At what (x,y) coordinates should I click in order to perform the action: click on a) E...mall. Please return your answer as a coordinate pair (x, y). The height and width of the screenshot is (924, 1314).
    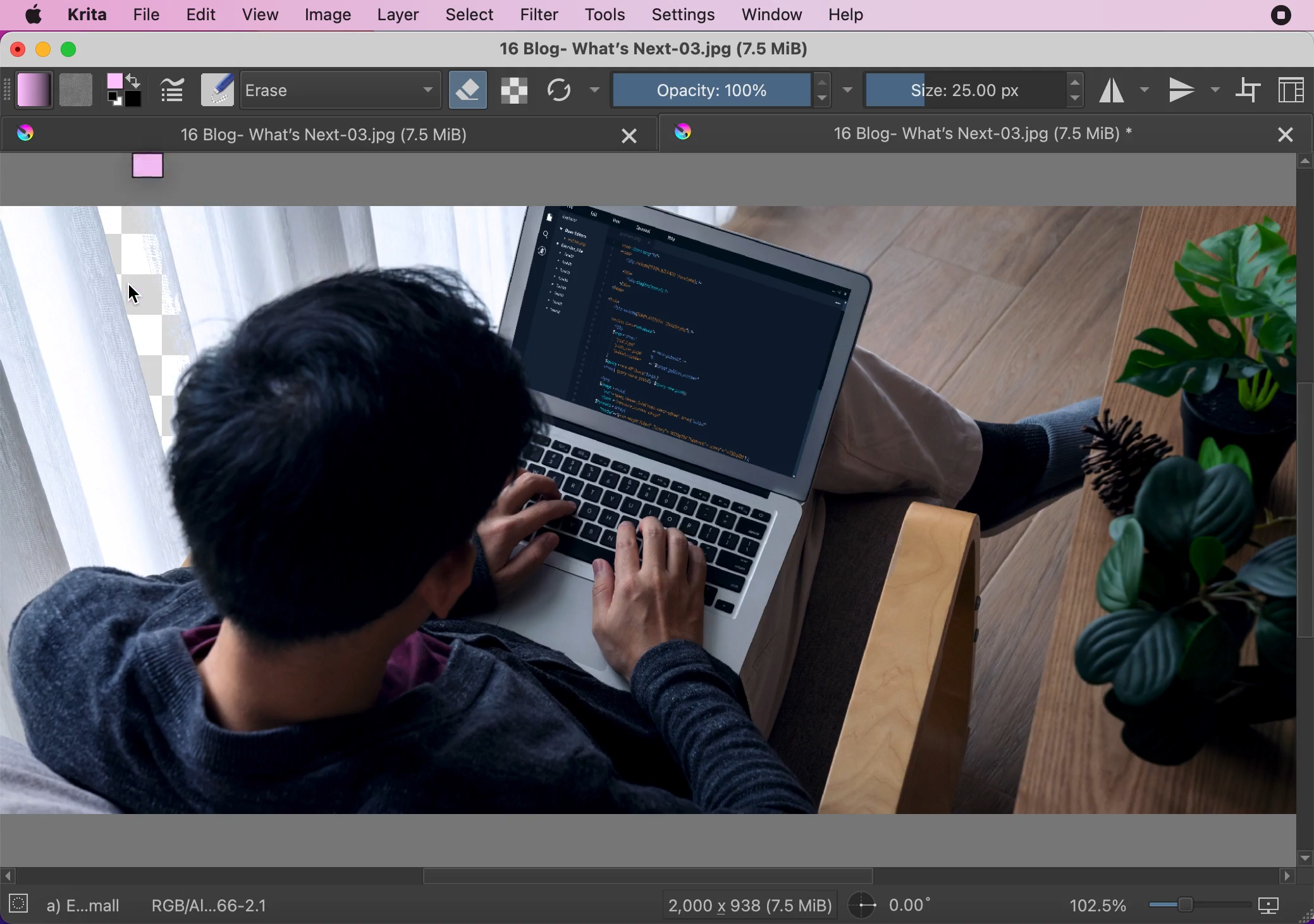
    Looking at the image, I should click on (89, 908).